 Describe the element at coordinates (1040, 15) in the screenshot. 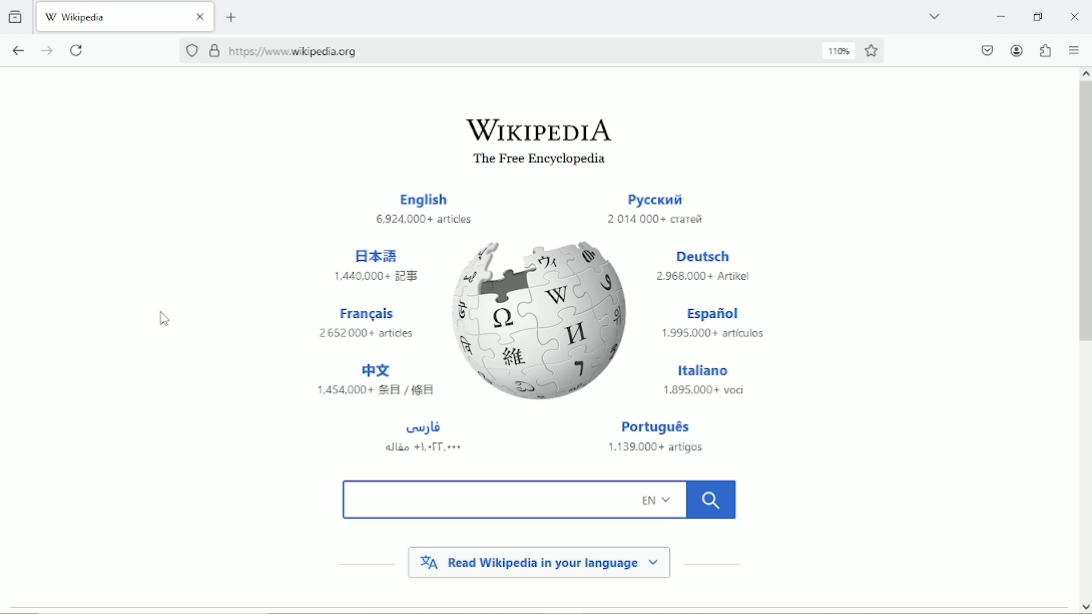

I see `Restore down` at that location.